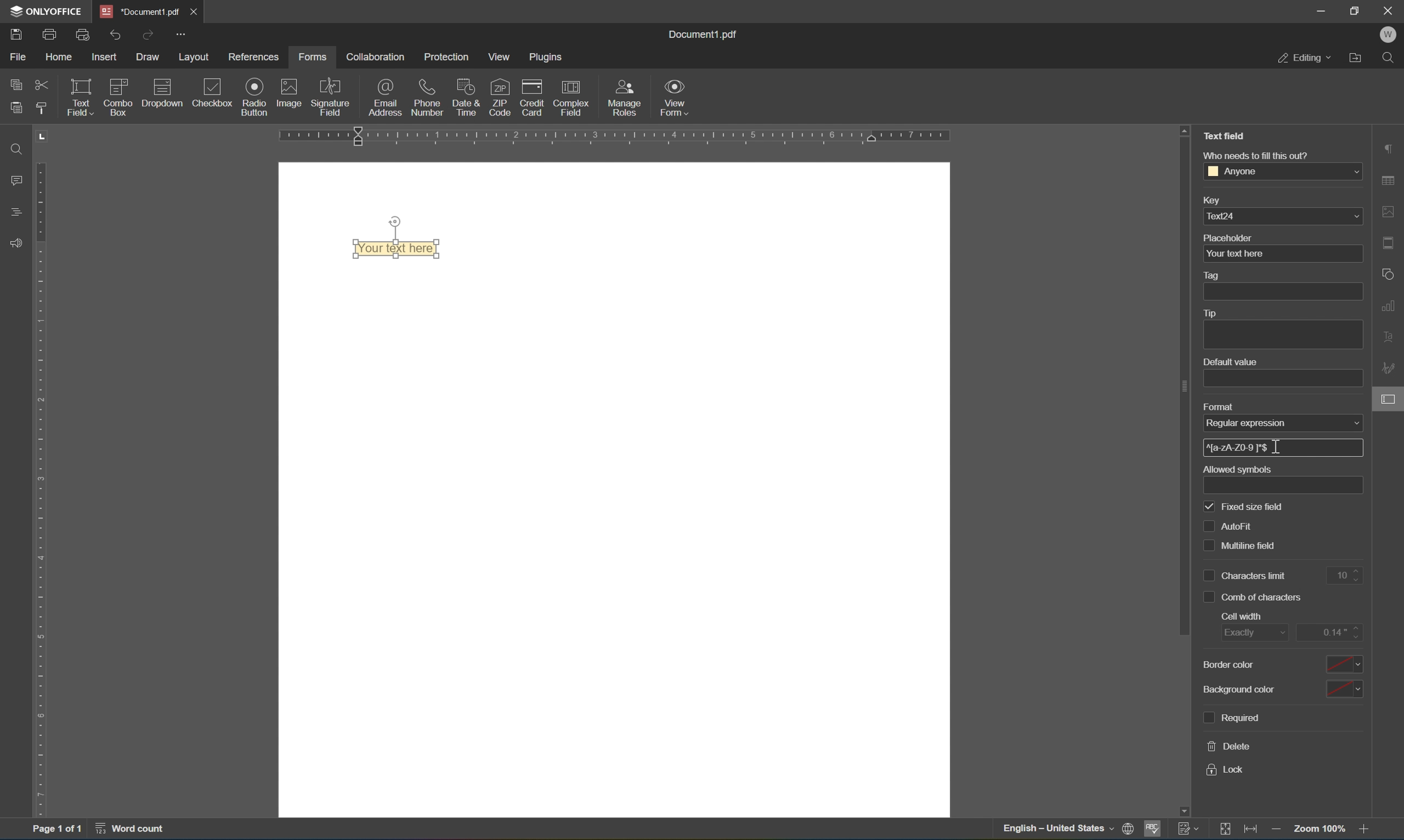  What do you see at coordinates (1283, 379) in the screenshot?
I see `add default value` at bounding box center [1283, 379].